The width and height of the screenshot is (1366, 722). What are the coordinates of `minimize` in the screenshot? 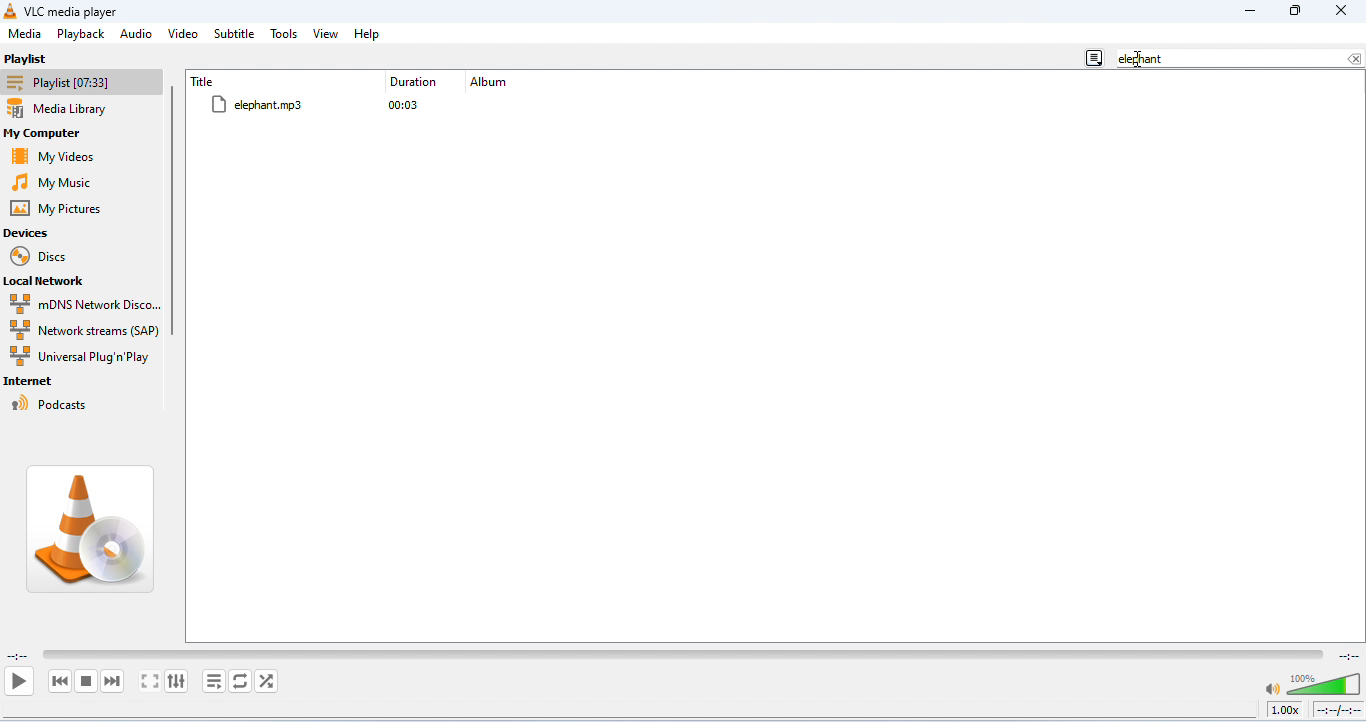 It's located at (1249, 12).